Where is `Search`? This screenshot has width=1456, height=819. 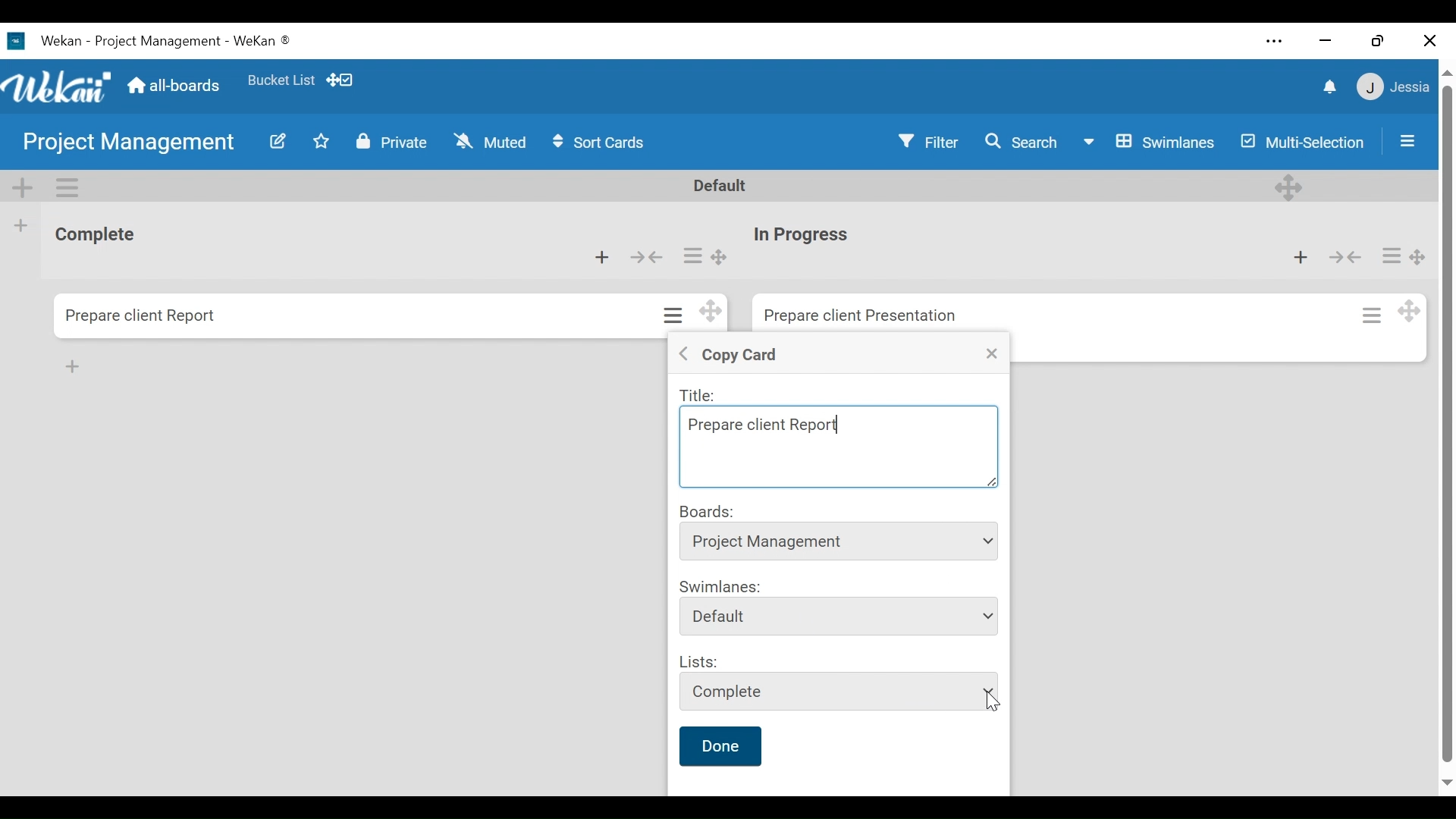
Search is located at coordinates (1021, 140).